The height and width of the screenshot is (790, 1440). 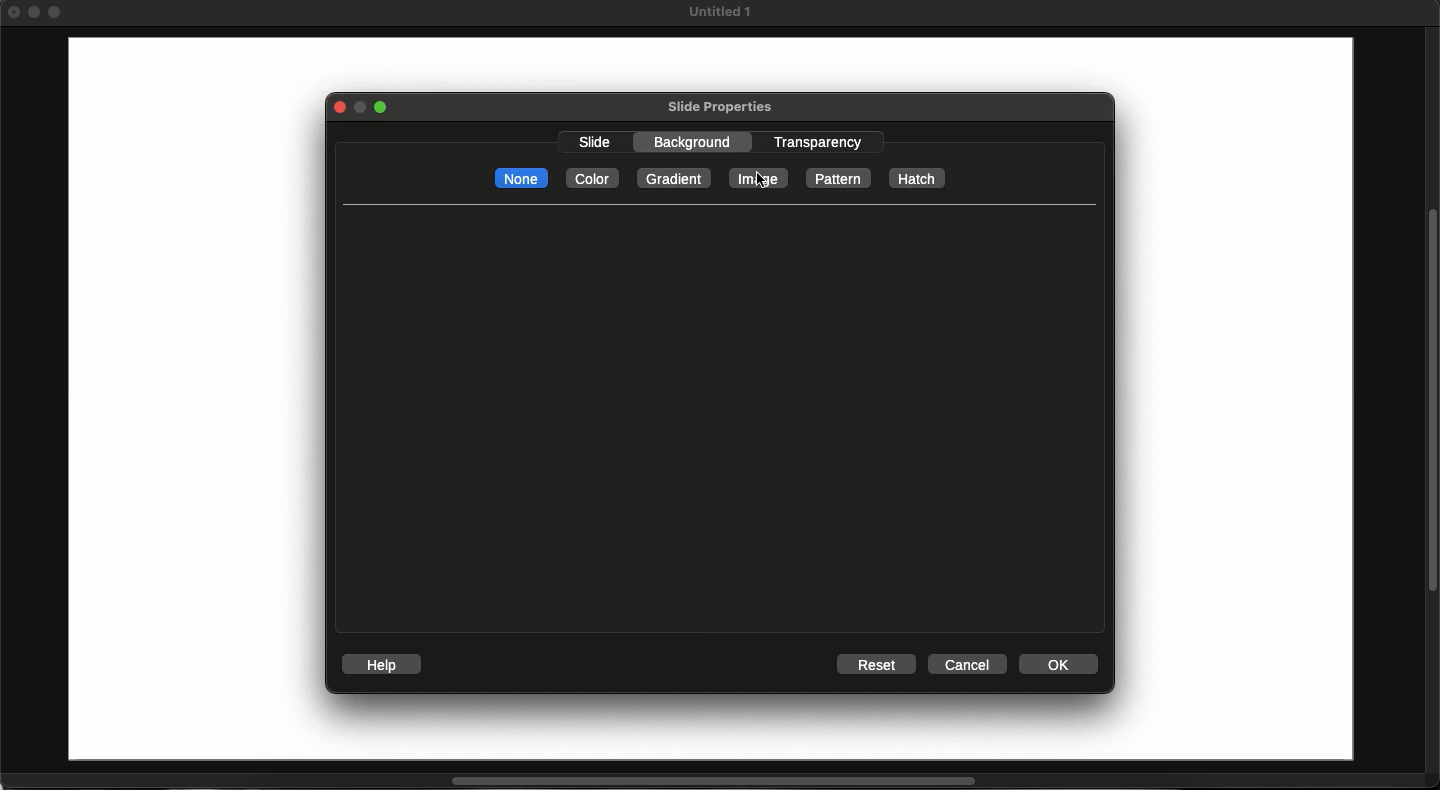 What do you see at coordinates (675, 178) in the screenshot?
I see `Gradient` at bounding box center [675, 178].